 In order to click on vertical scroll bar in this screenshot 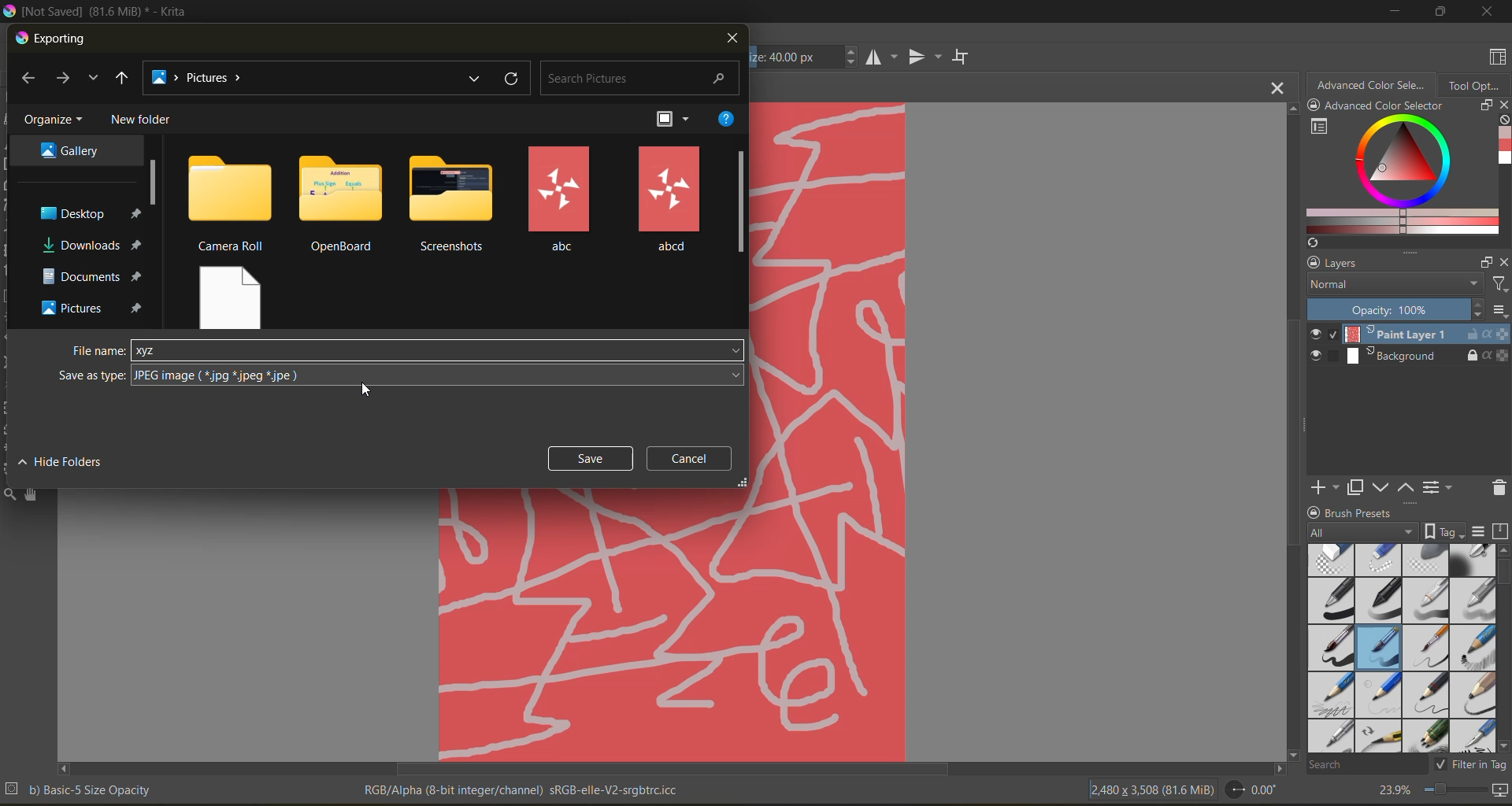, I will do `click(155, 182)`.